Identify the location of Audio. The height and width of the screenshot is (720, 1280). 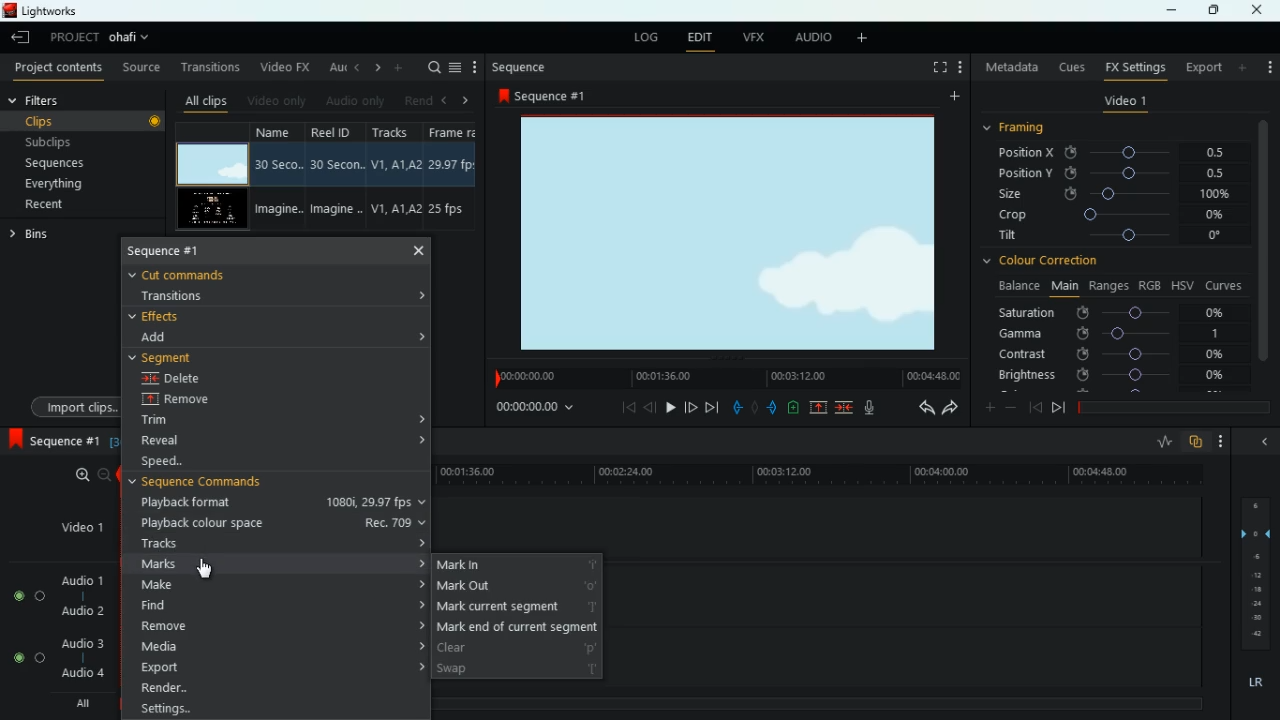
(25, 595).